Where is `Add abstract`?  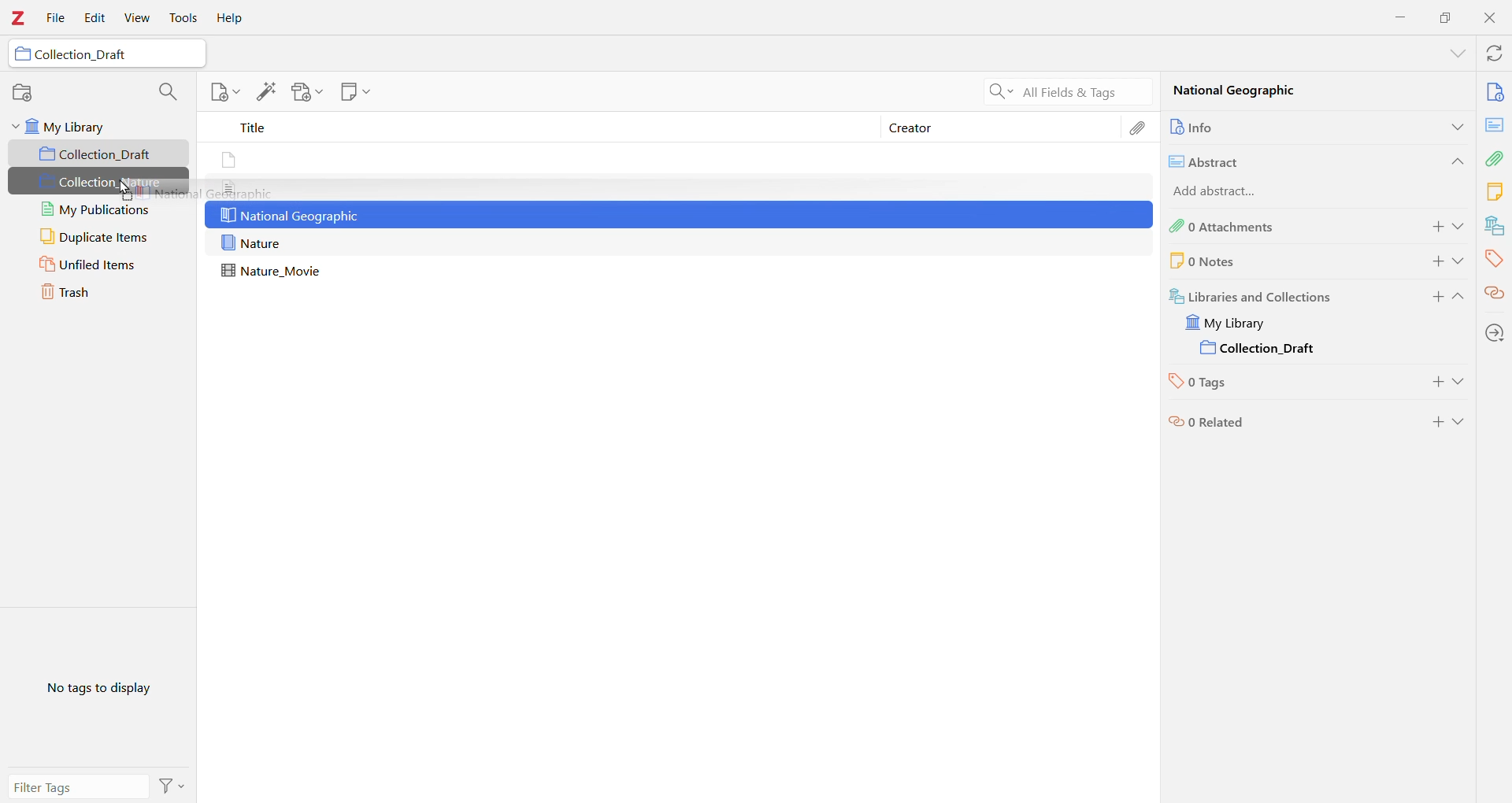 Add abstract is located at coordinates (1234, 192).